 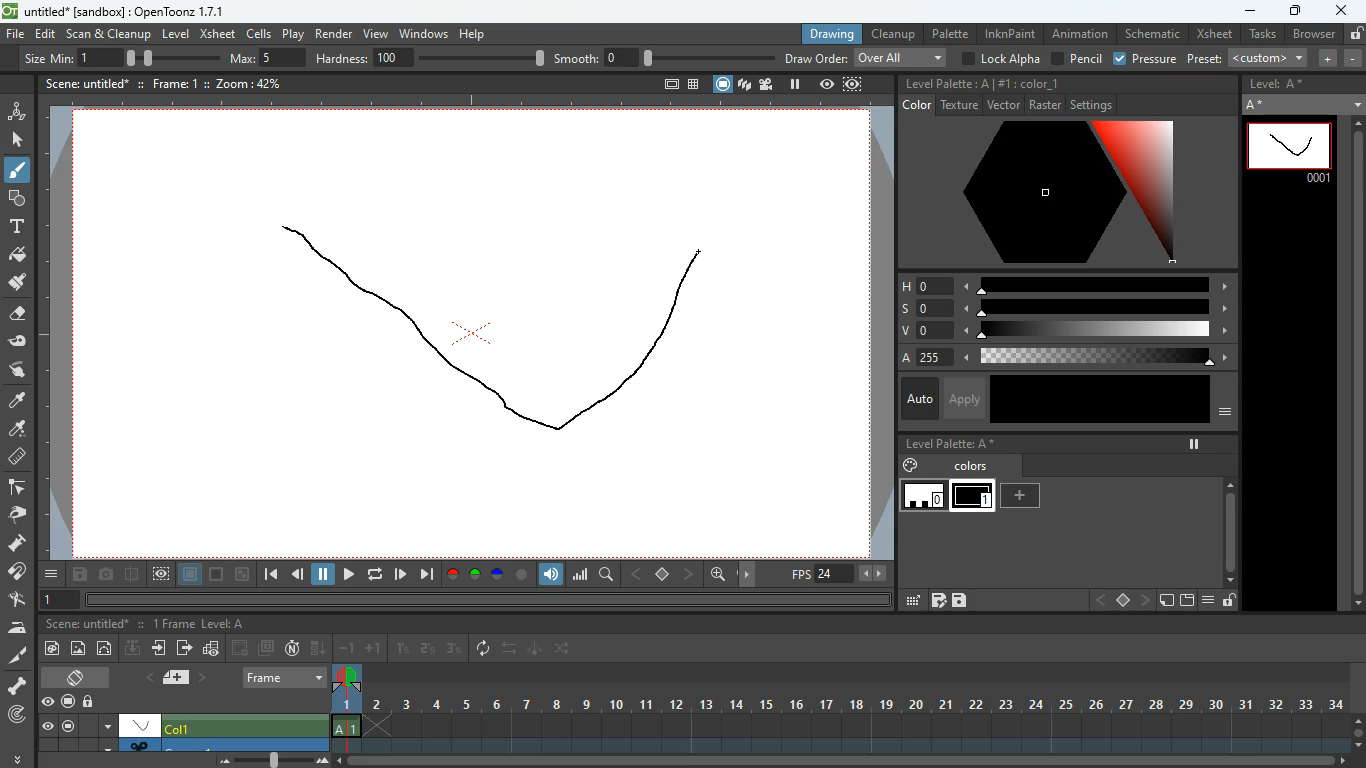 I want to click on click, so click(x=19, y=140).